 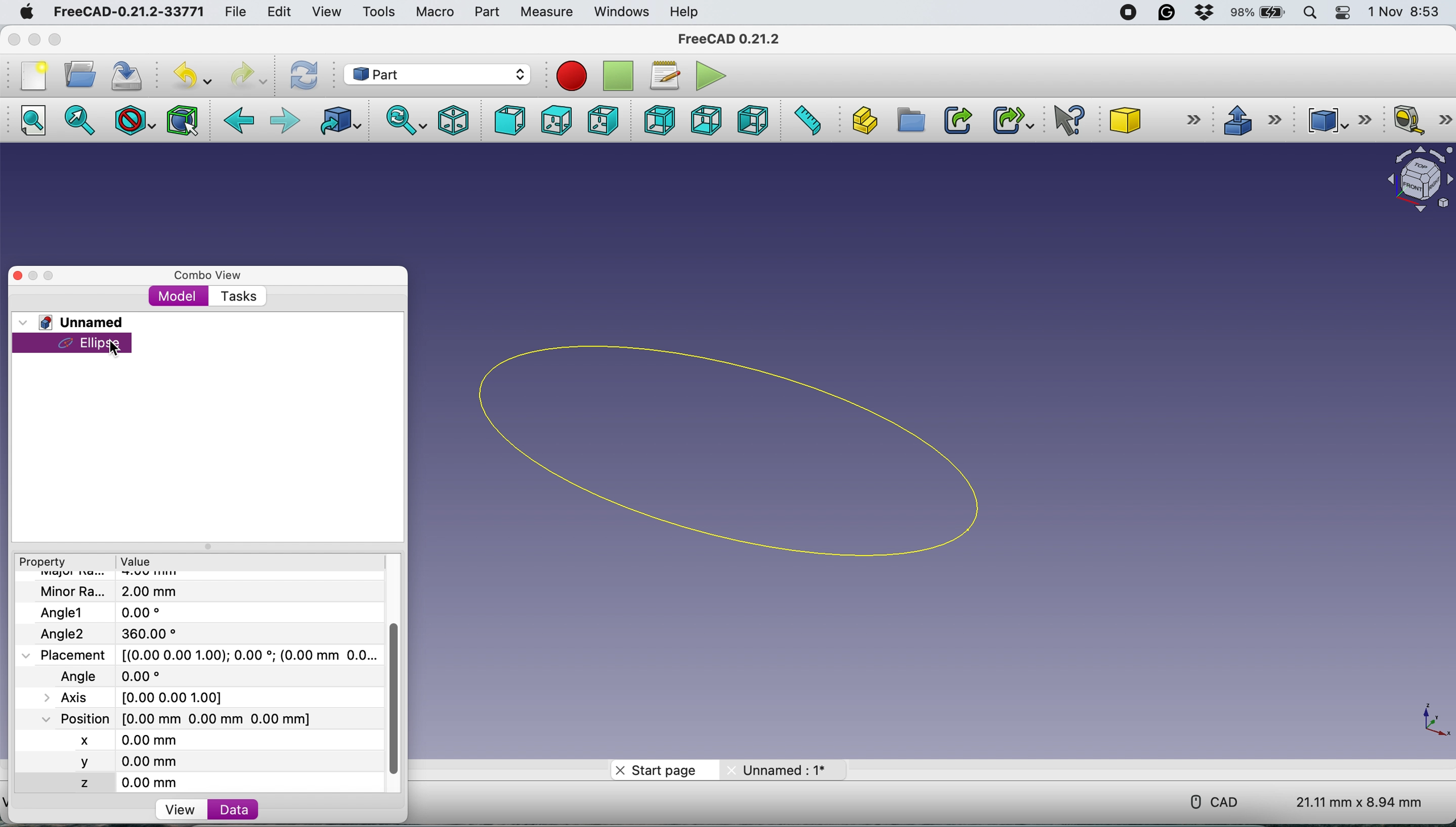 I want to click on file, so click(x=232, y=10).